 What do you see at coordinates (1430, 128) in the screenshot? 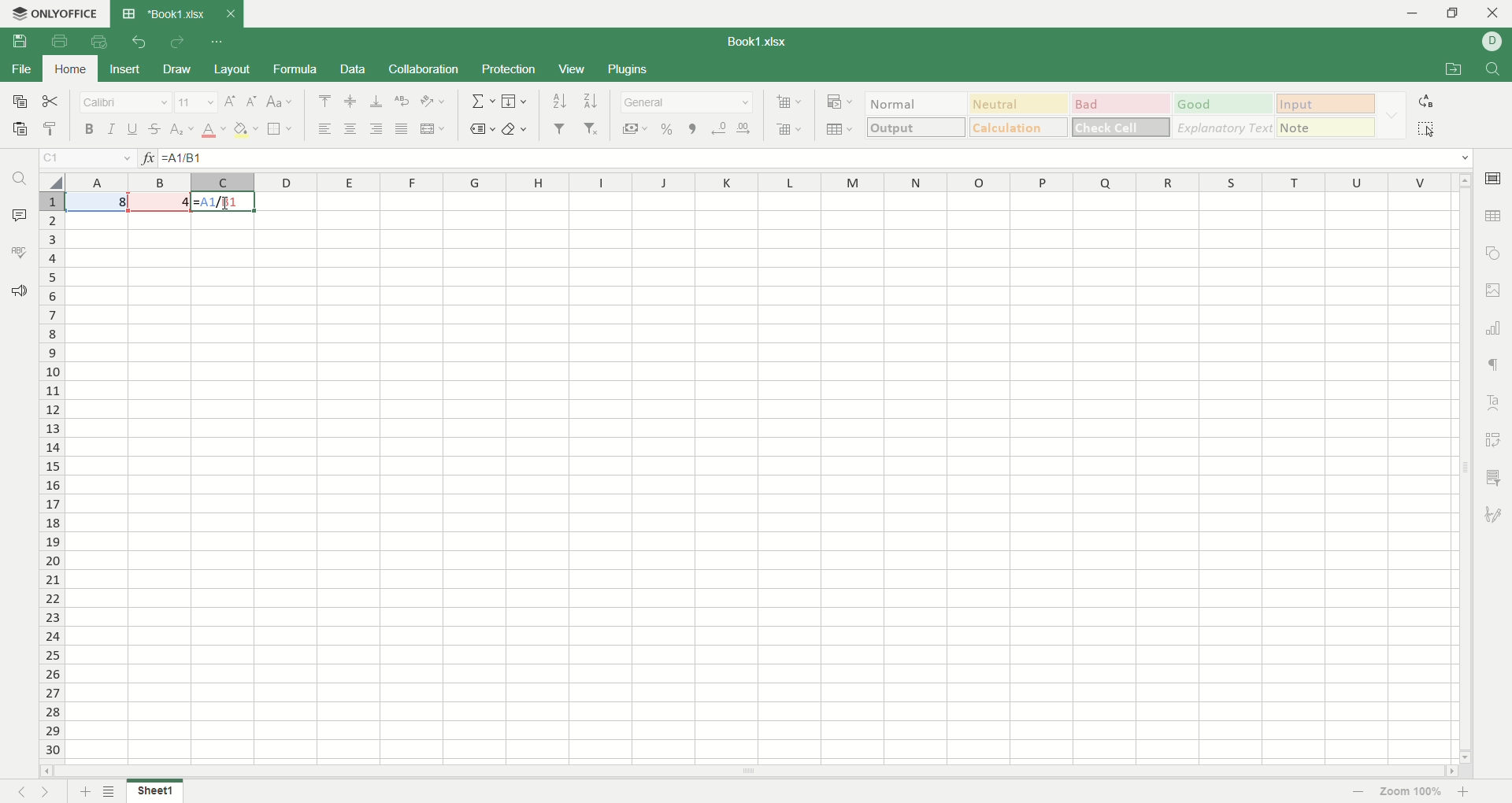
I see `select all` at bounding box center [1430, 128].